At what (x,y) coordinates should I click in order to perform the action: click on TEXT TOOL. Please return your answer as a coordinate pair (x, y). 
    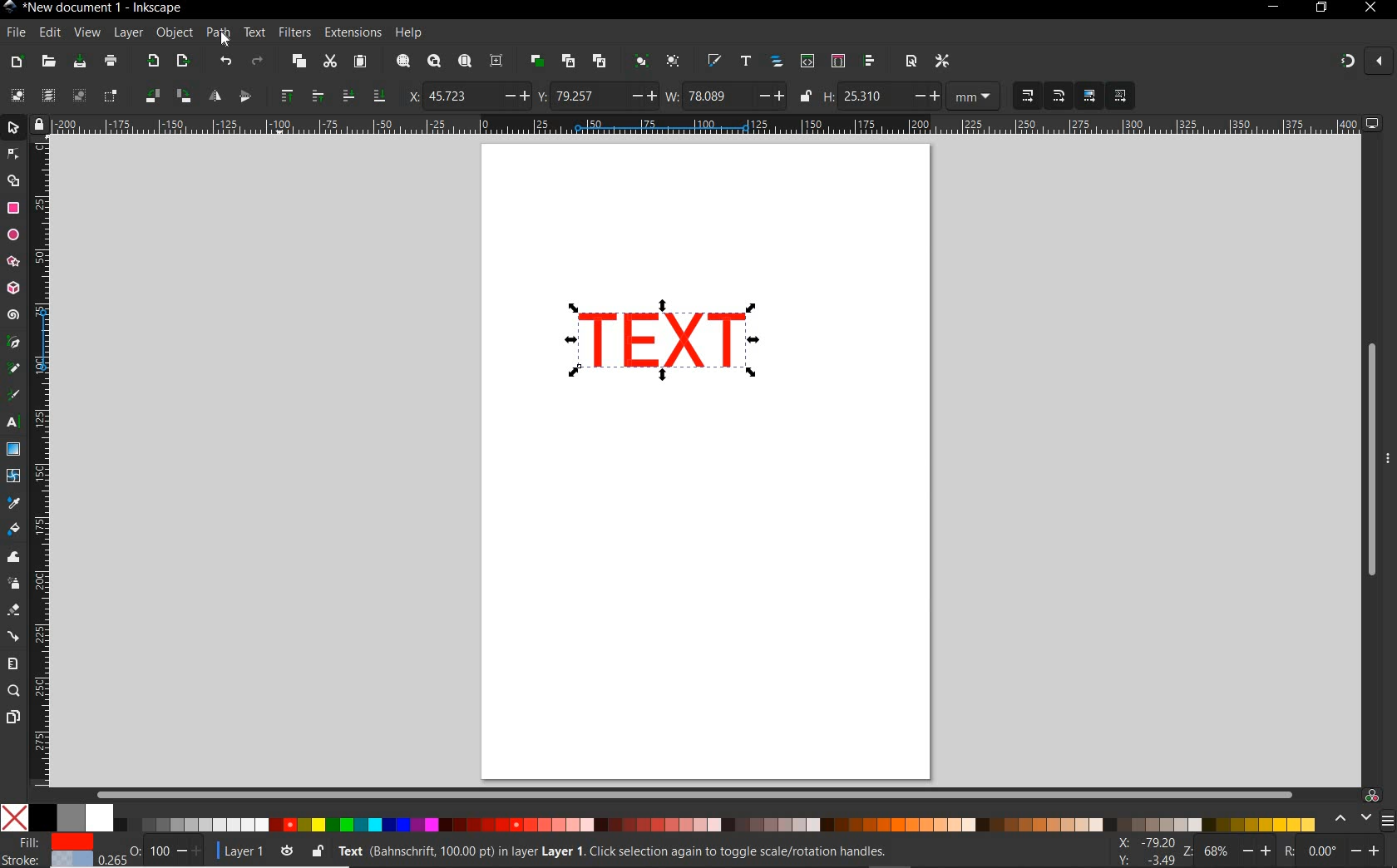
    Looking at the image, I should click on (15, 422).